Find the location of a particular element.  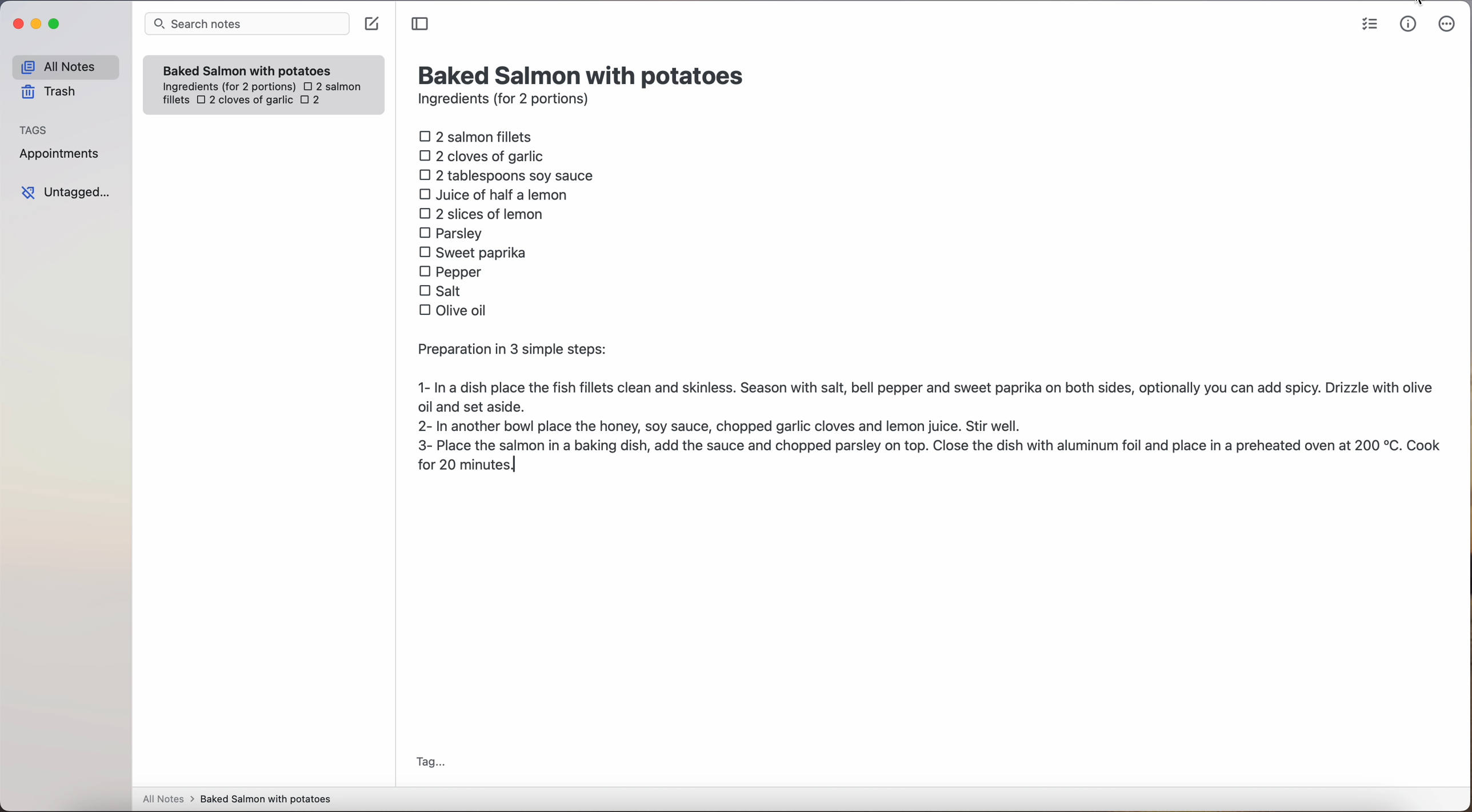

2 tablespoons soy sauce is located at coordinates (506, 175).